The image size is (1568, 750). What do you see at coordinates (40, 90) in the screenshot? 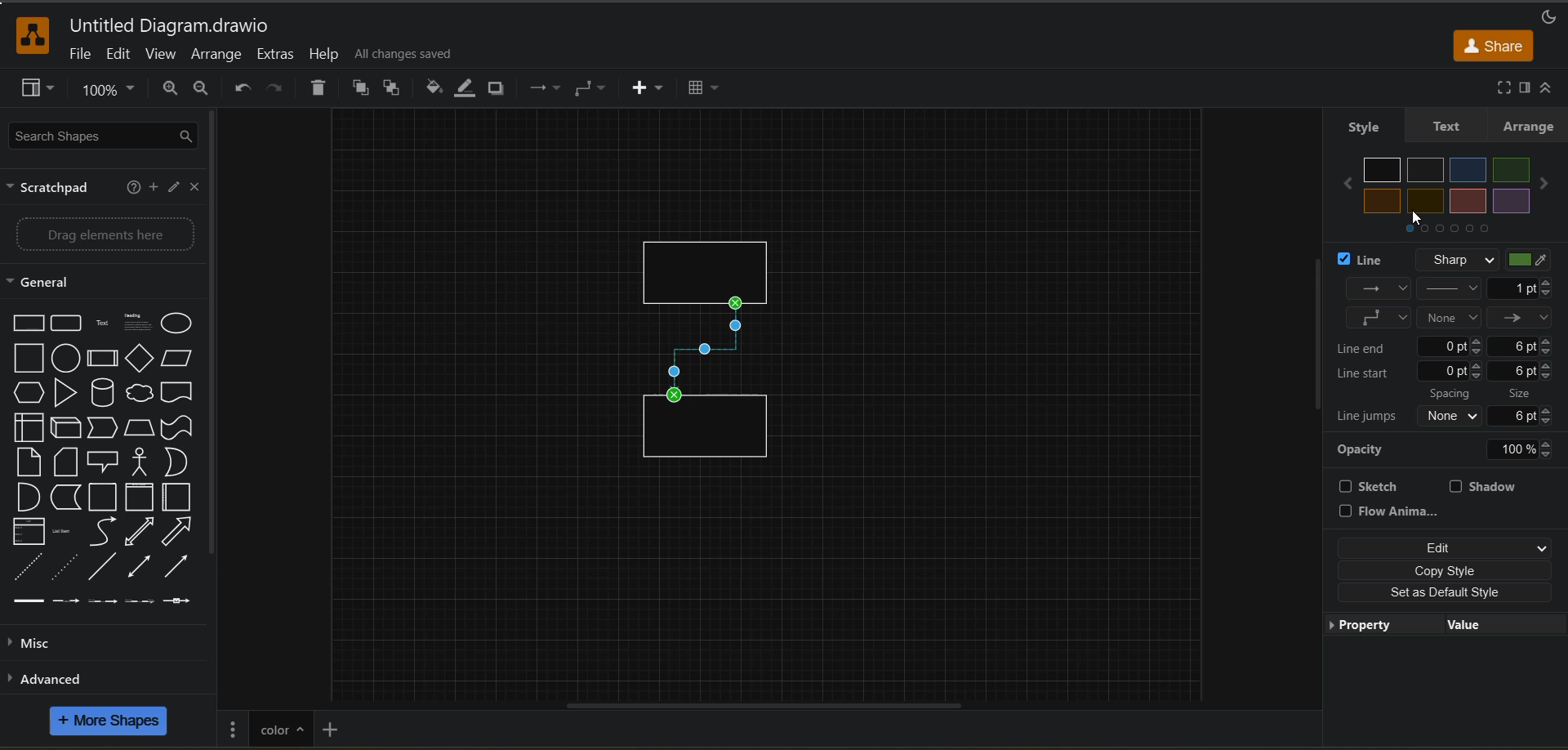
I see `view` at bounding box center [40, 90].